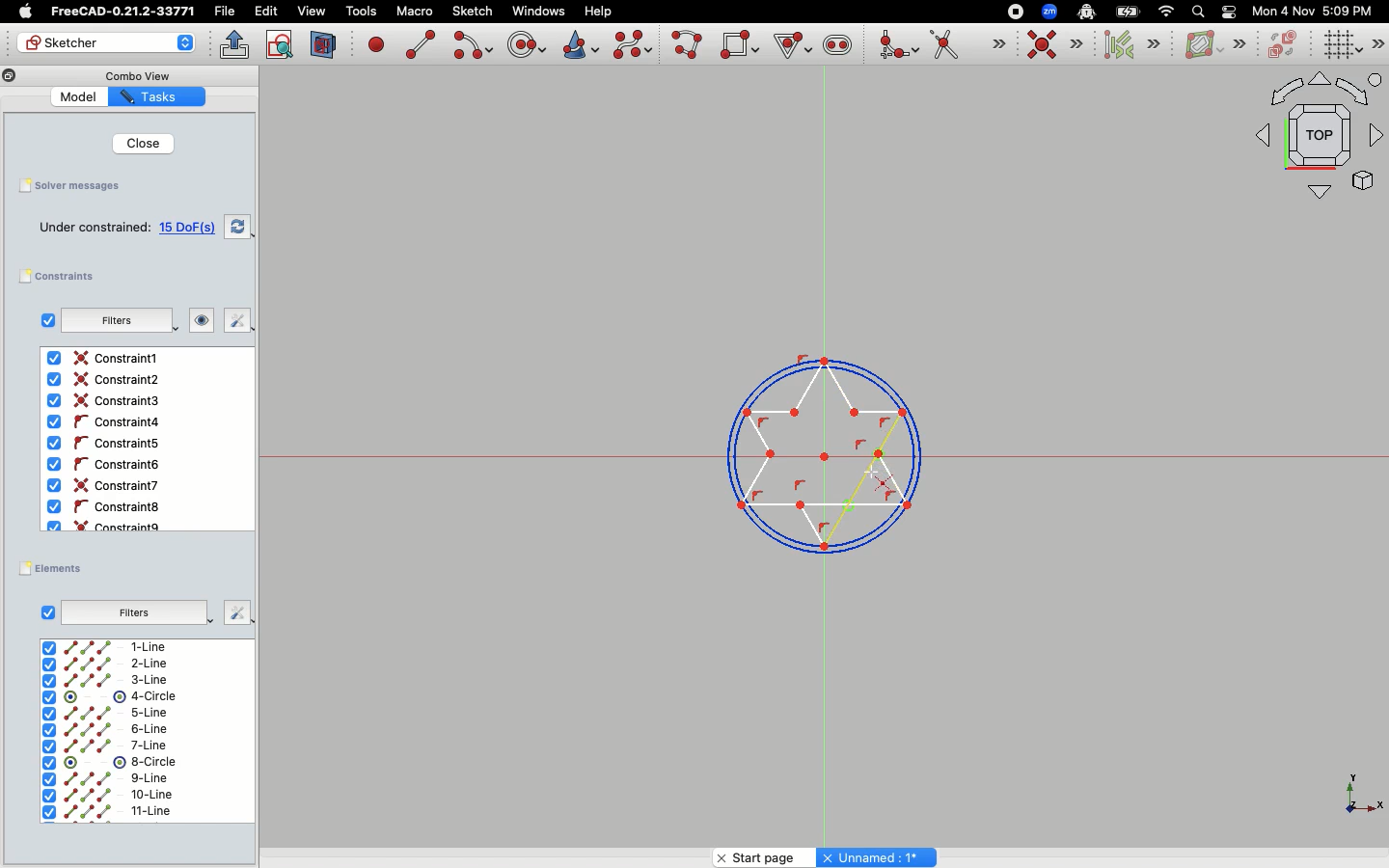 Image resolution: width=1389 pixels, height=868 pixels. Describe the element at coordinates (324, 44) in the screenshot. I see `View section` at that location.